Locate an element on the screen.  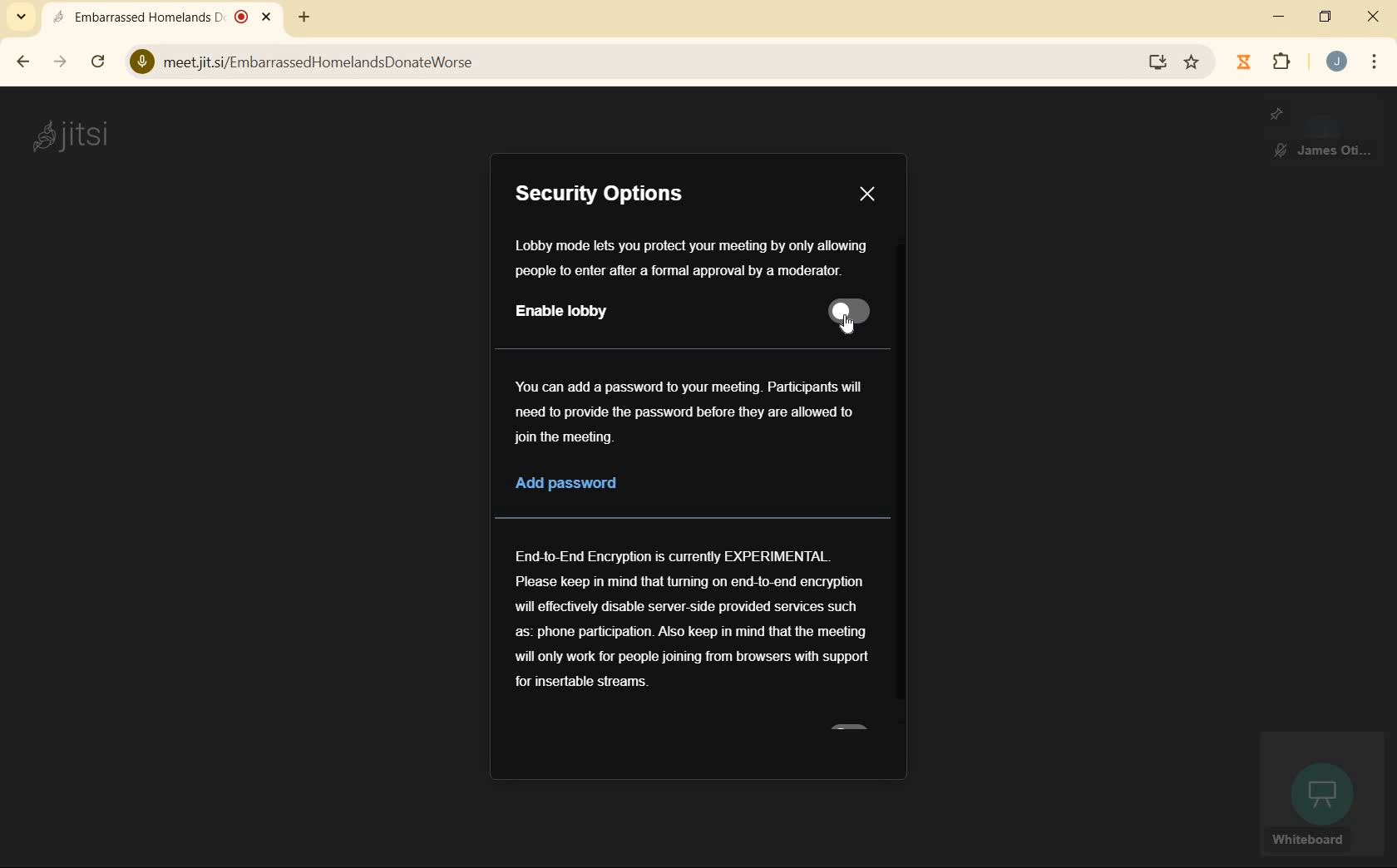
search tabs is located at coordinates (20, 17).